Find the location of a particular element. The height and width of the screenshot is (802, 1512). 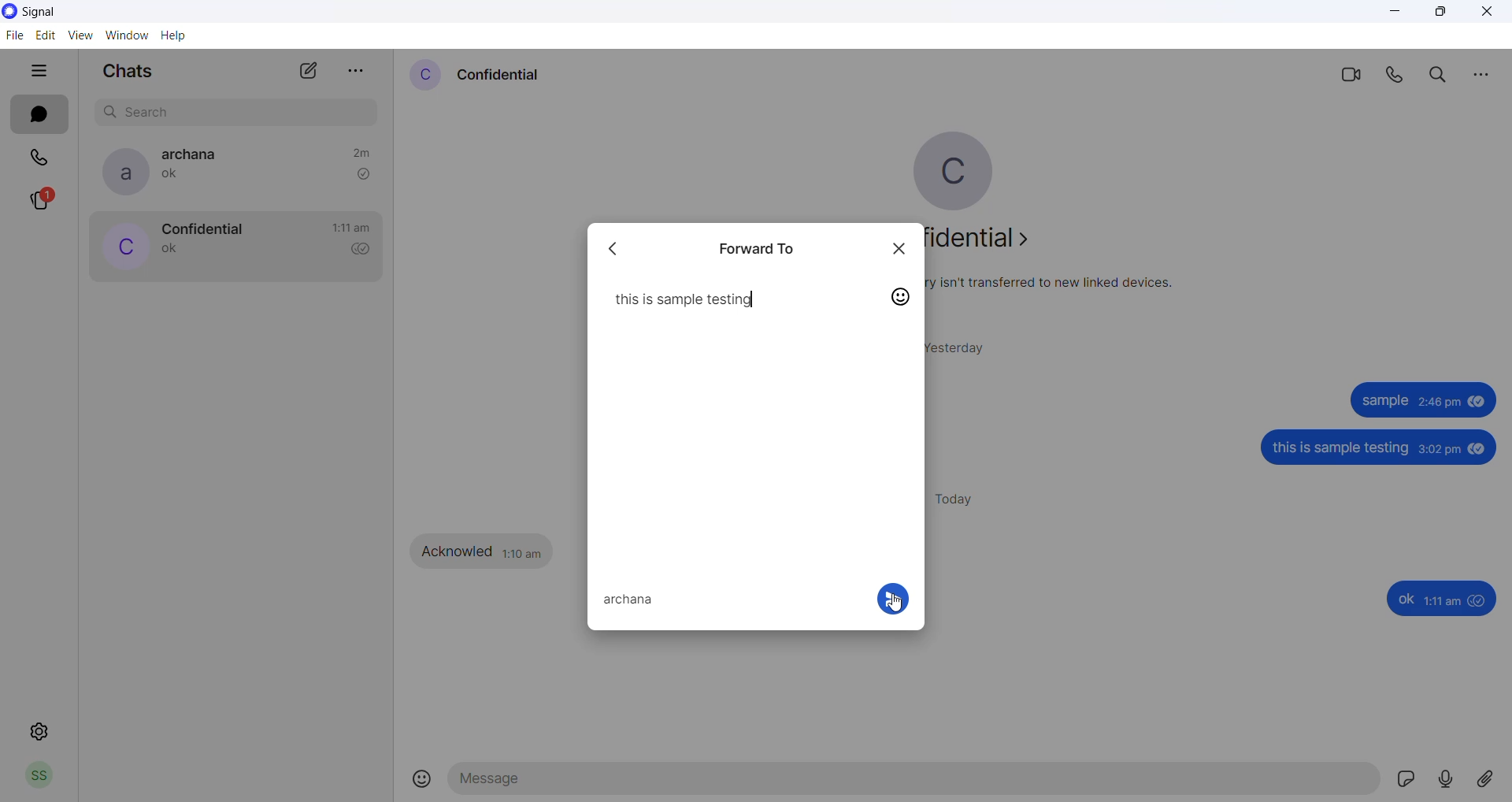

message text area is located at coordinates (916, 783).